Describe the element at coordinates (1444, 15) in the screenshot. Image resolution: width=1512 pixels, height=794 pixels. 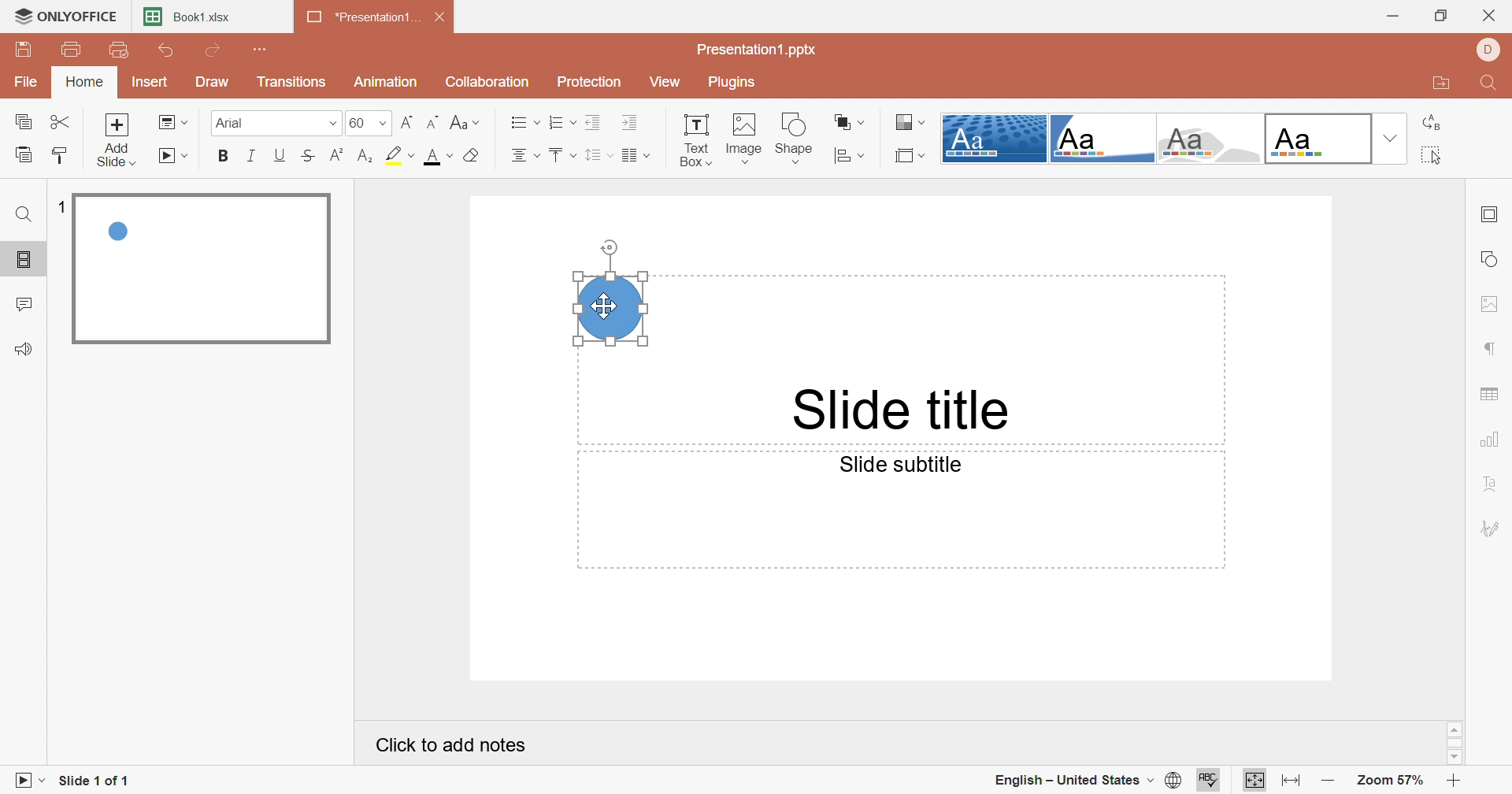
I see `Restore down` at that location.